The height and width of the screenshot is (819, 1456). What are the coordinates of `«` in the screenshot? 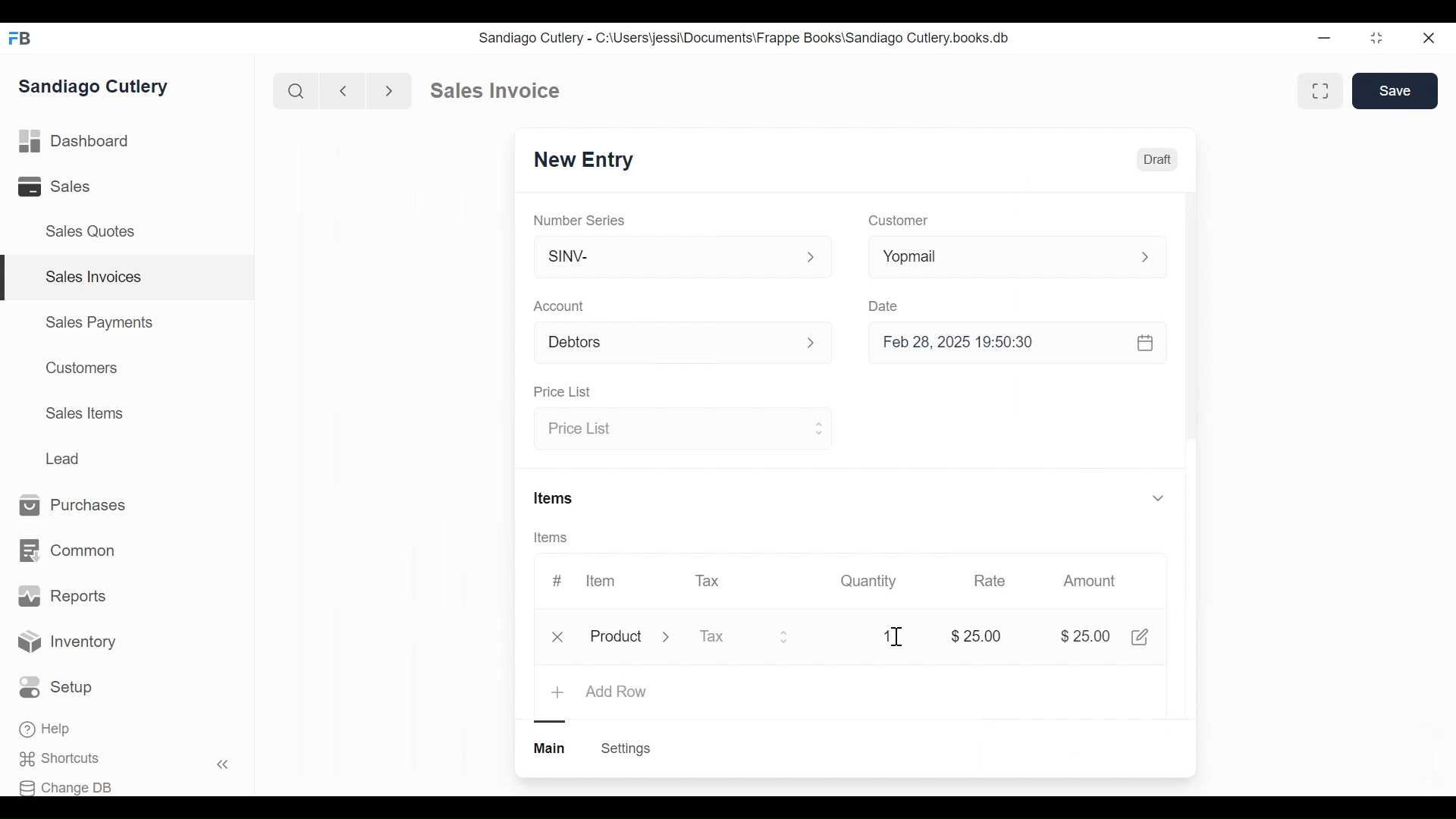 It's located at (223, 767).